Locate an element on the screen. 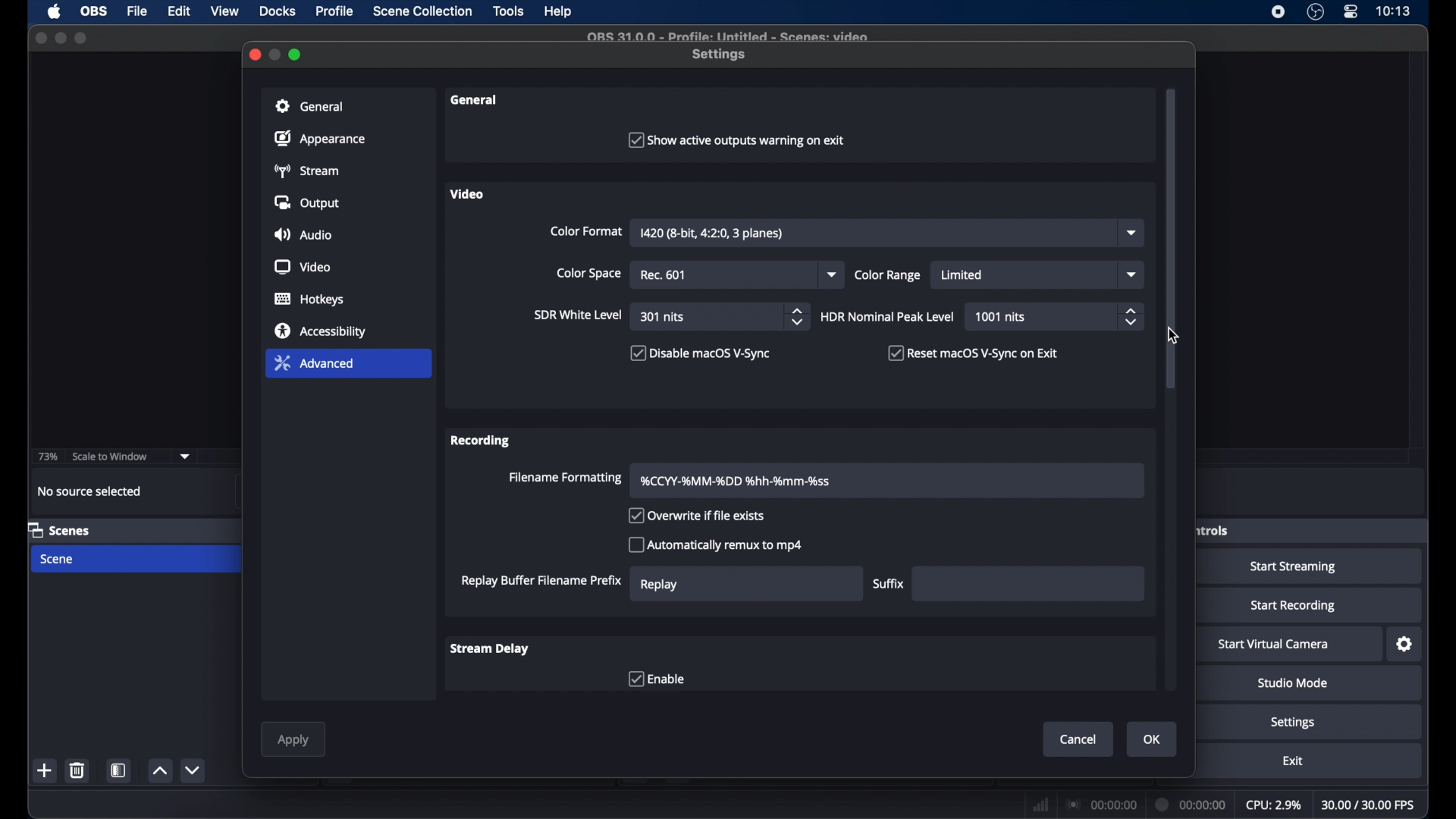 This screenshot has height=819, width=1456. audio is located at coordinates (302, 236).